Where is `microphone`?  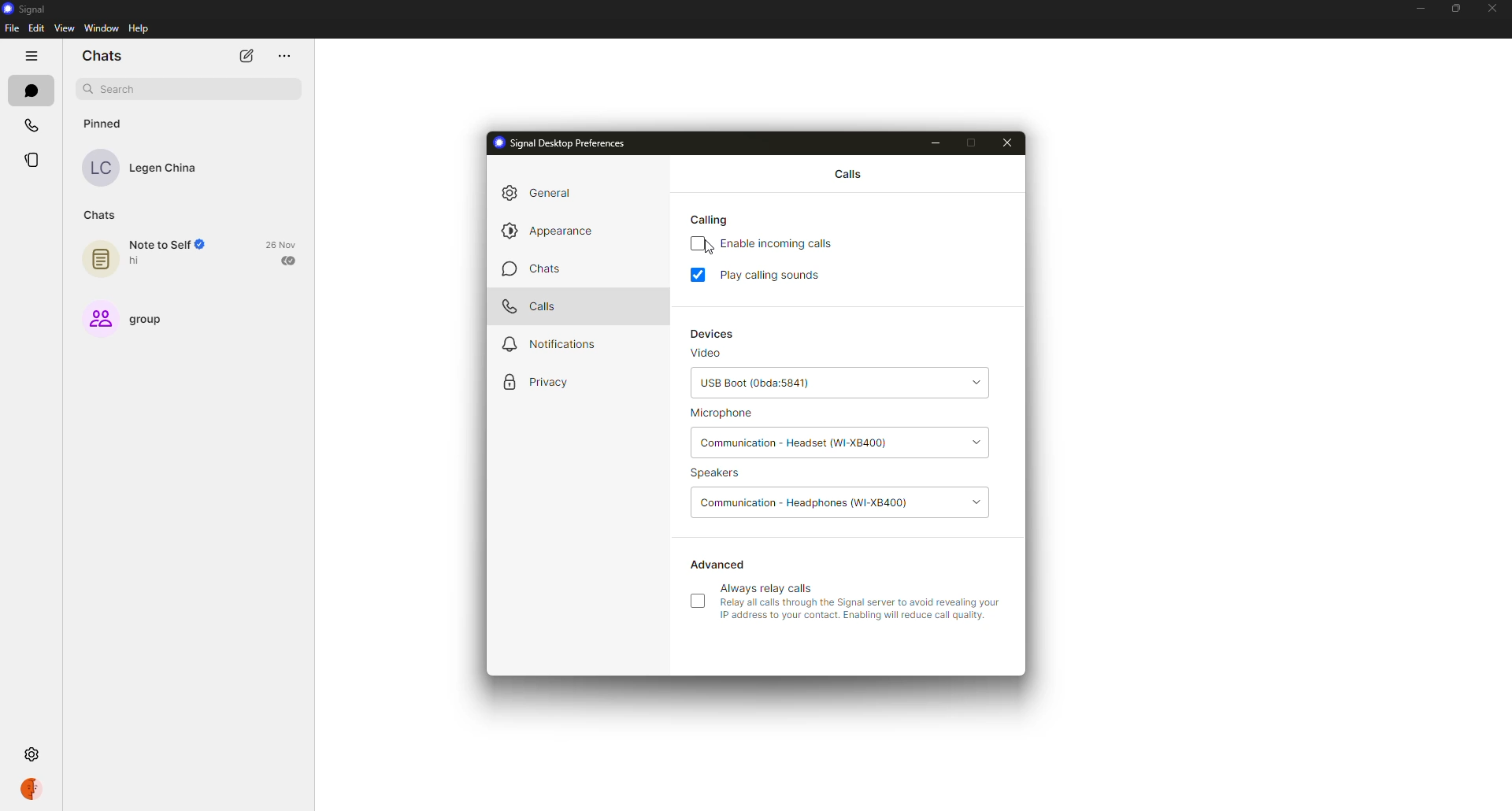 microphone is located at coordinates (724, 413).